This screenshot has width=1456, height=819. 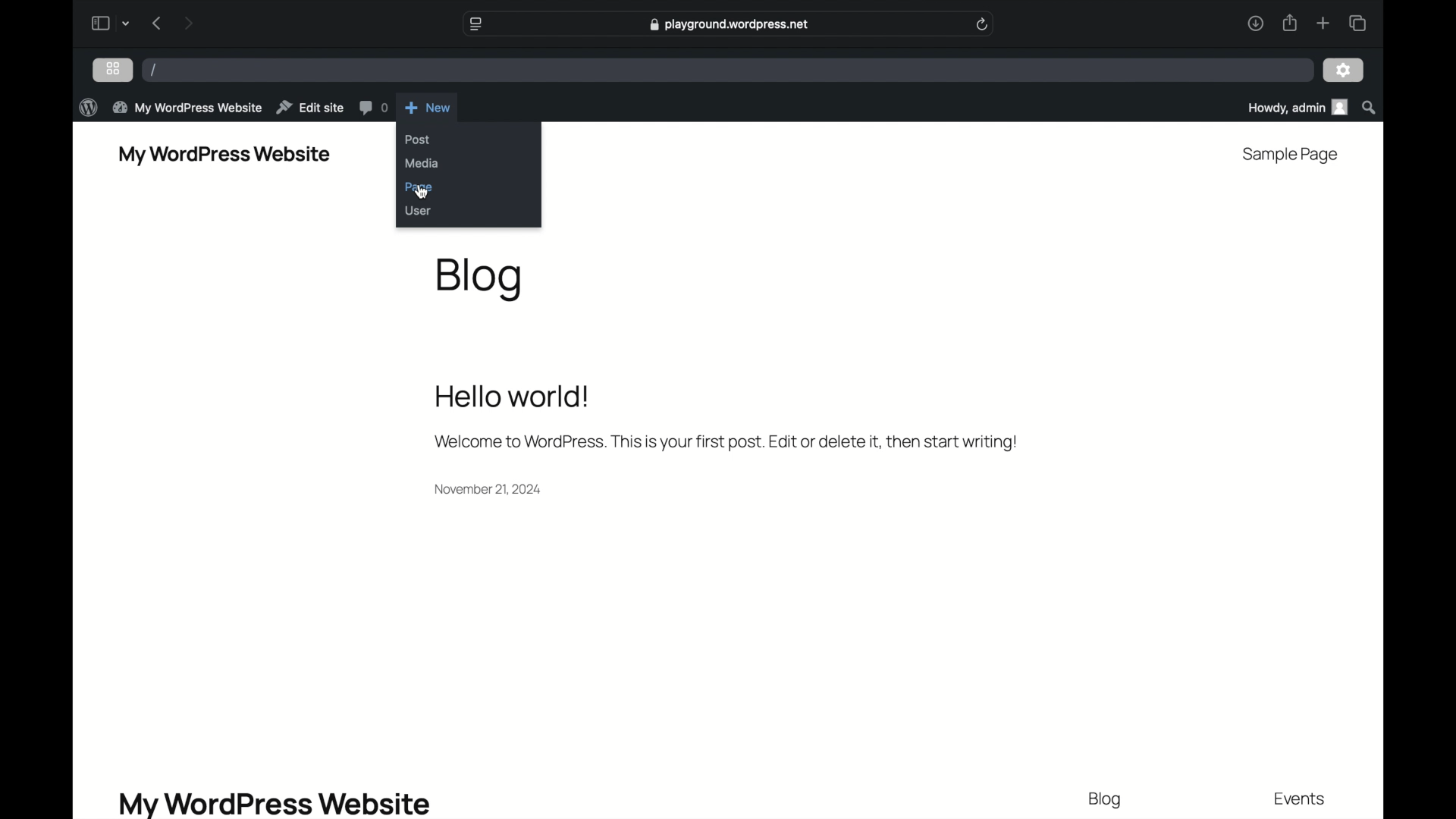 I want to click on ion view, so click(x=114, y=68).